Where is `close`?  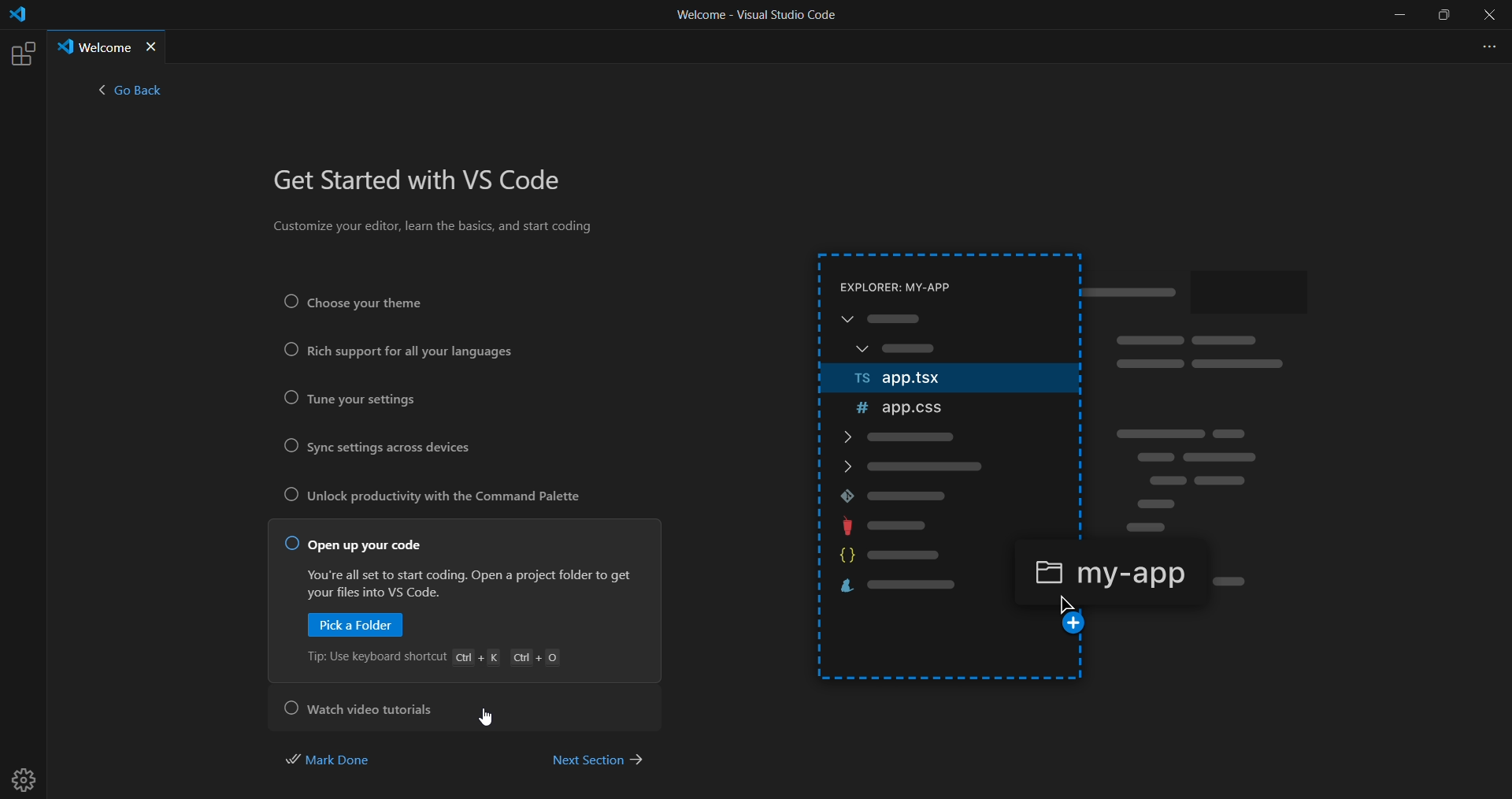 close is located at coordinates (1490, 16).